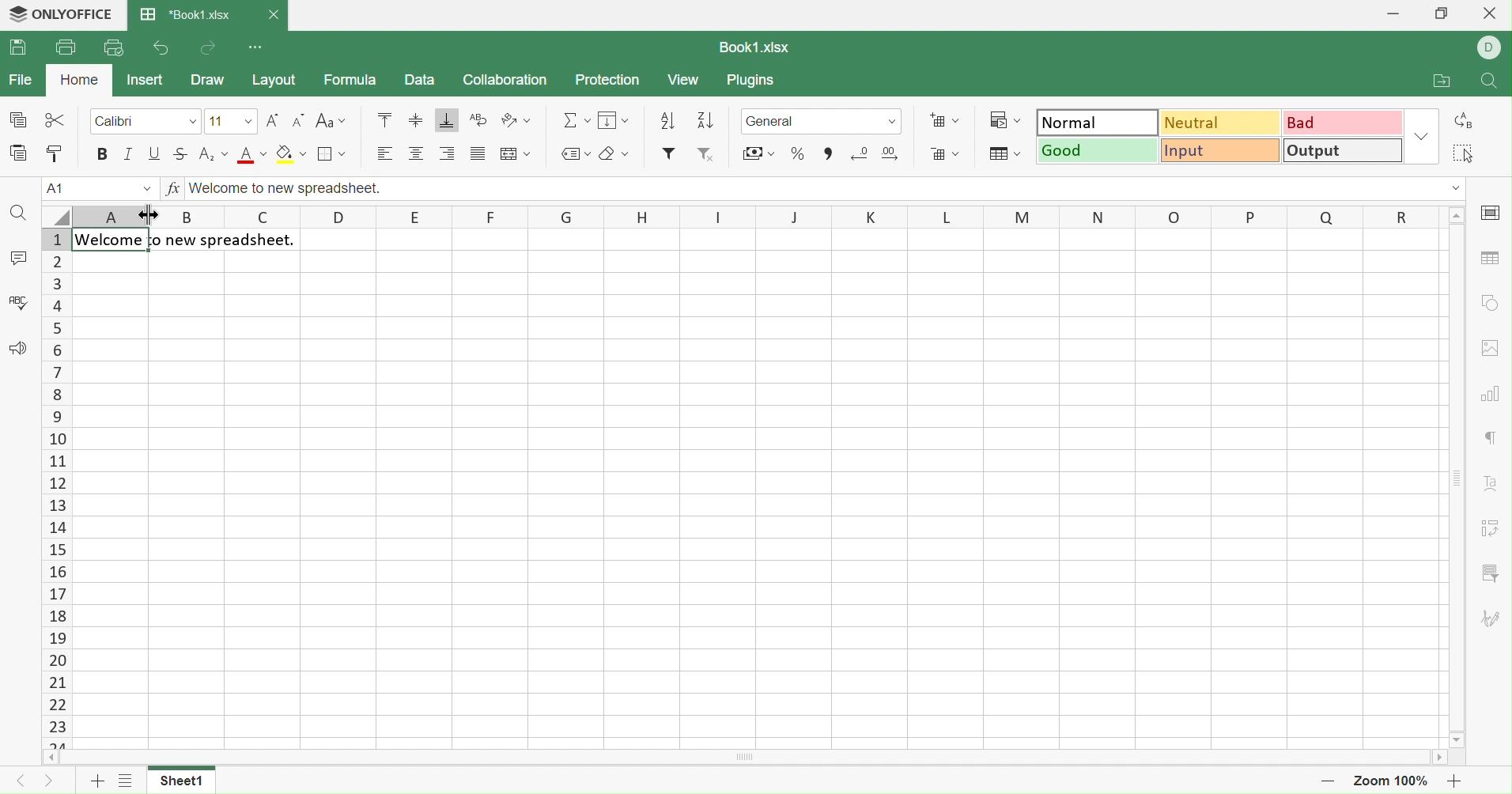  I want to click on shape settings, so click(1493, 300).